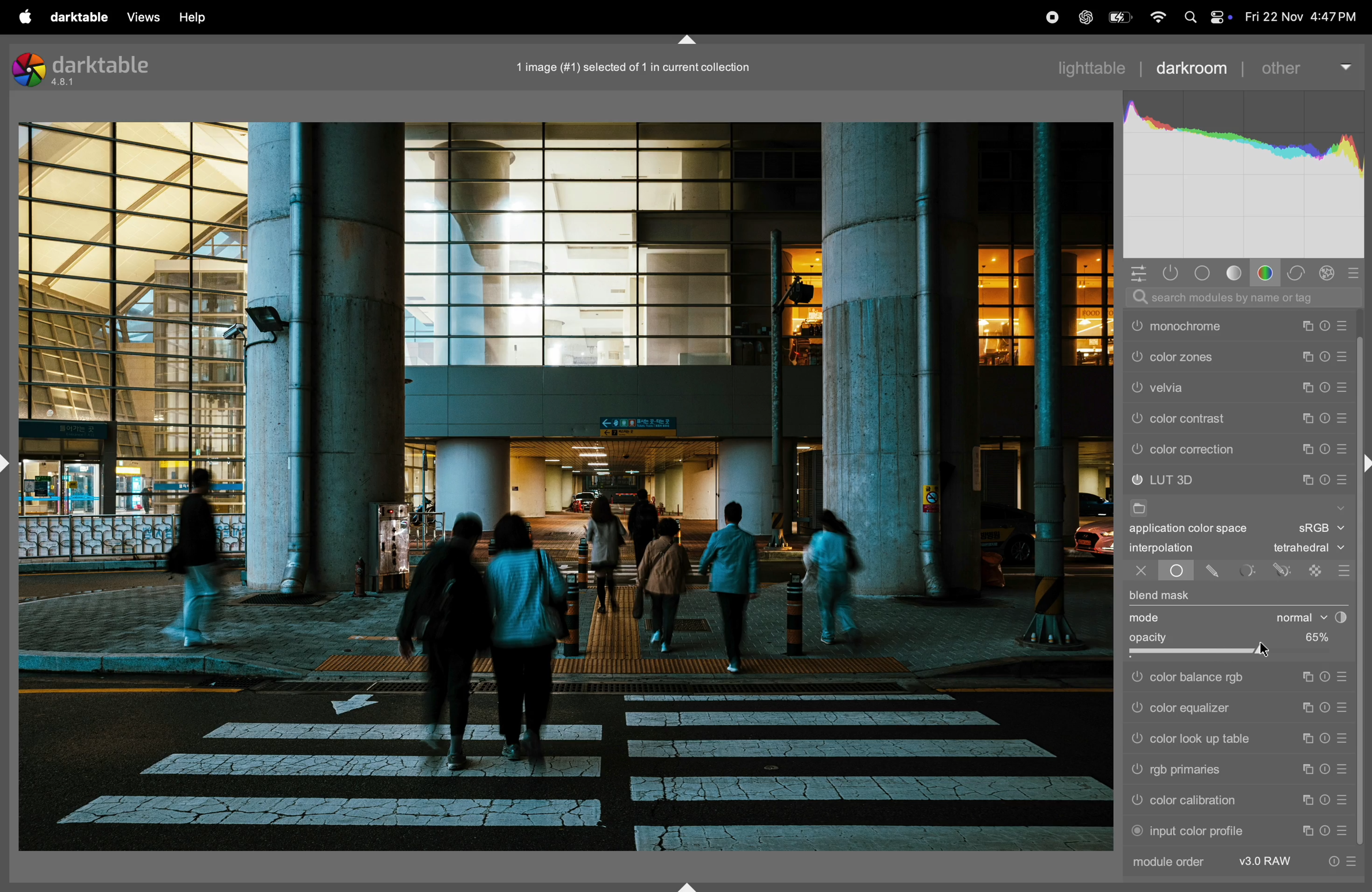  Describe the element at coordinates (1246, 298) in the screenshot. I see `search bar` at that location.